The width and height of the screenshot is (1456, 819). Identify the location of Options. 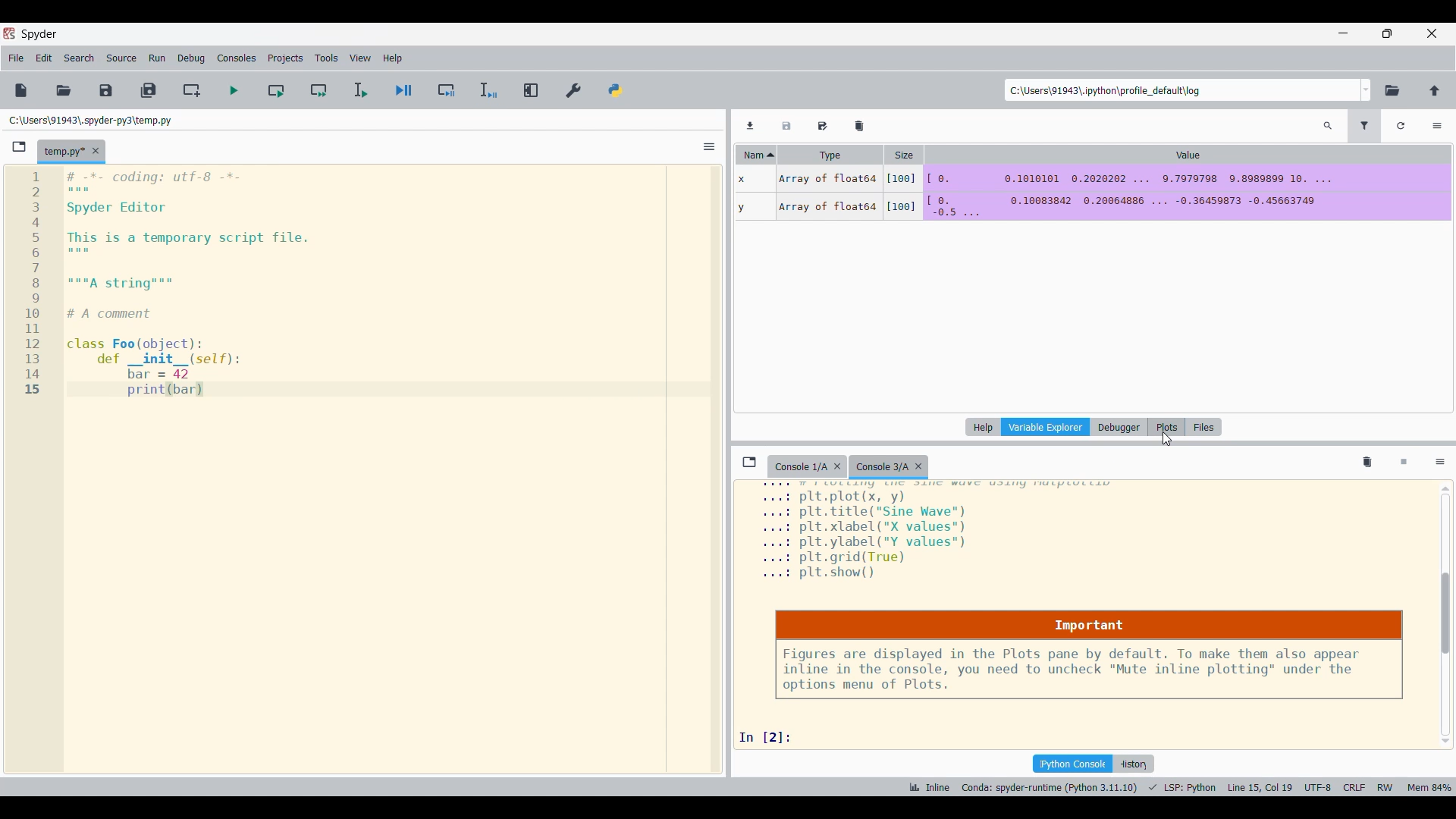
(710, 146).